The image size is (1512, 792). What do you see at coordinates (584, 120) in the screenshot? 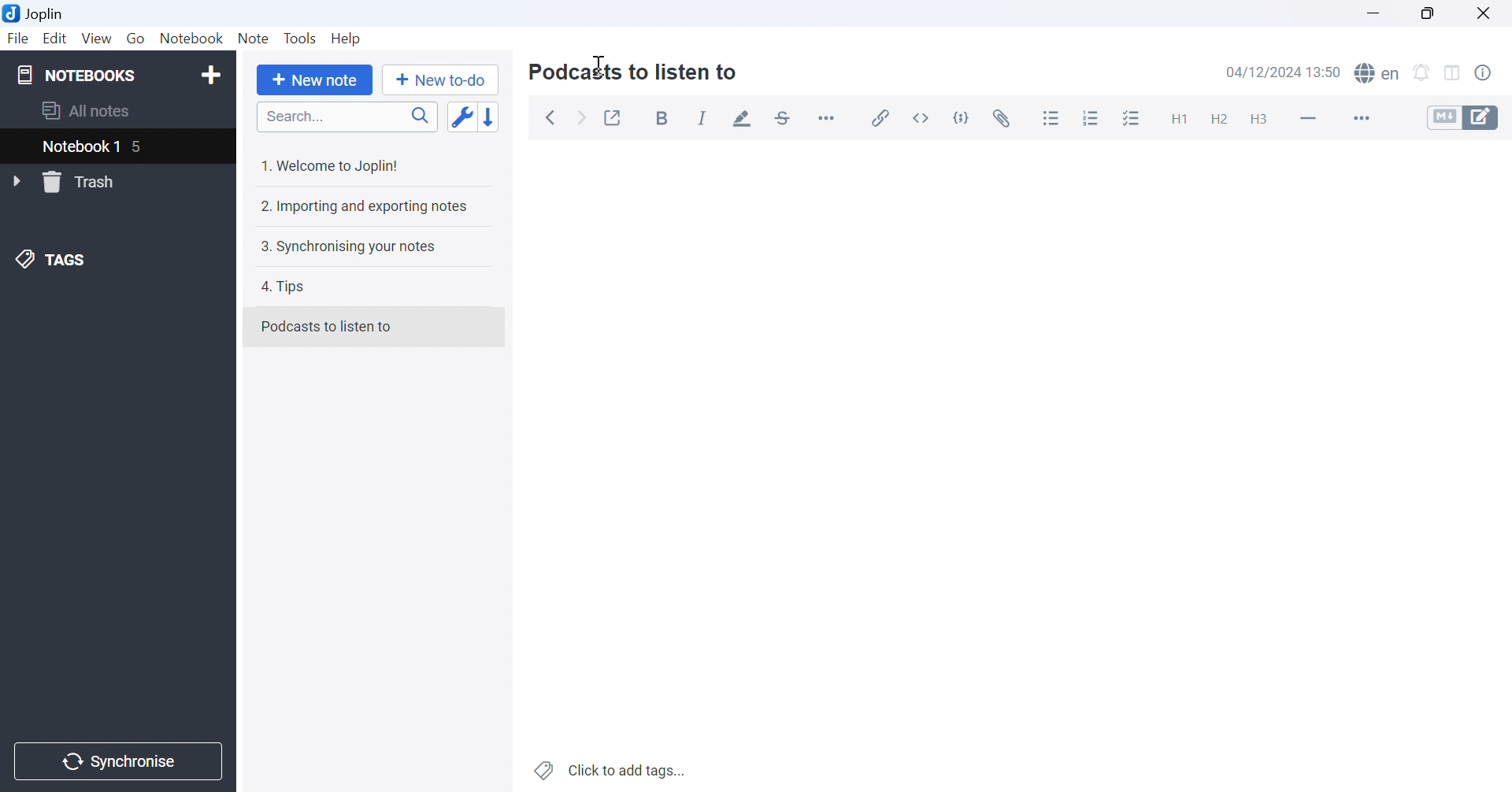
I see `Forward` at bounding box center [584, 120].